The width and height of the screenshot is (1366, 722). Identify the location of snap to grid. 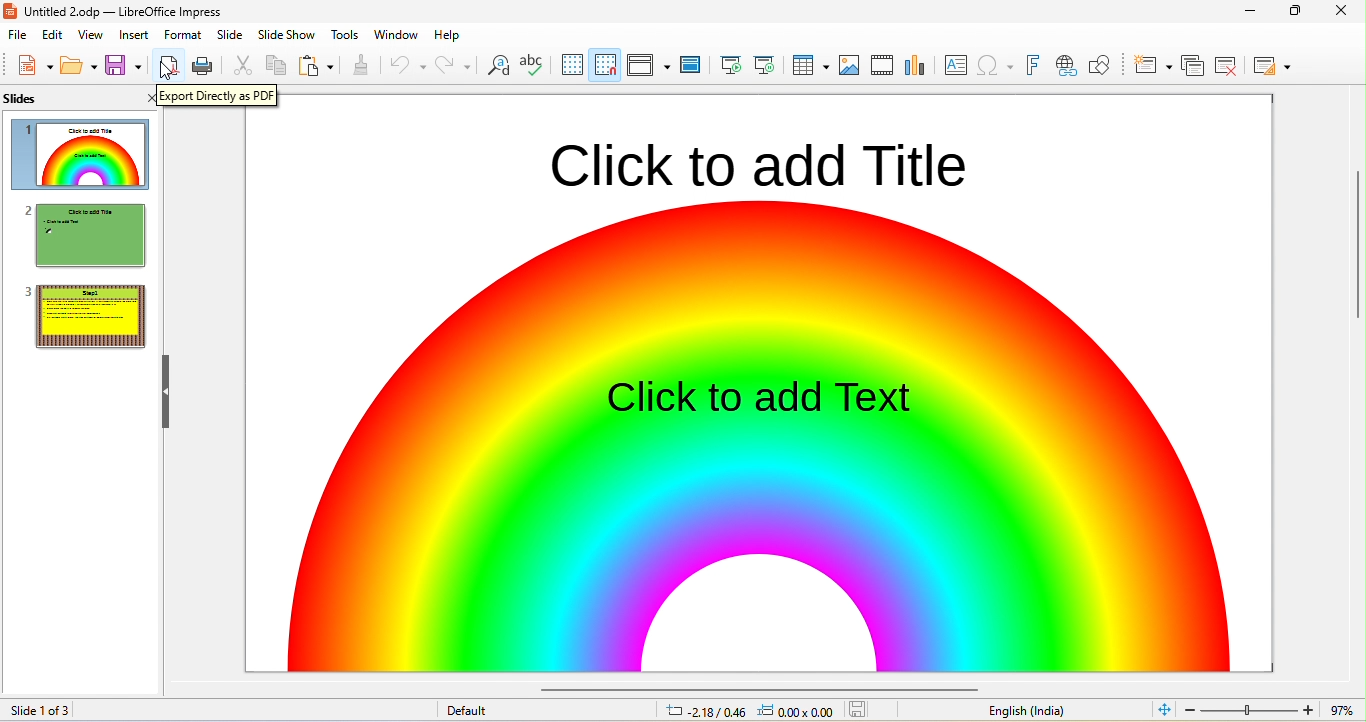
(604, 67).